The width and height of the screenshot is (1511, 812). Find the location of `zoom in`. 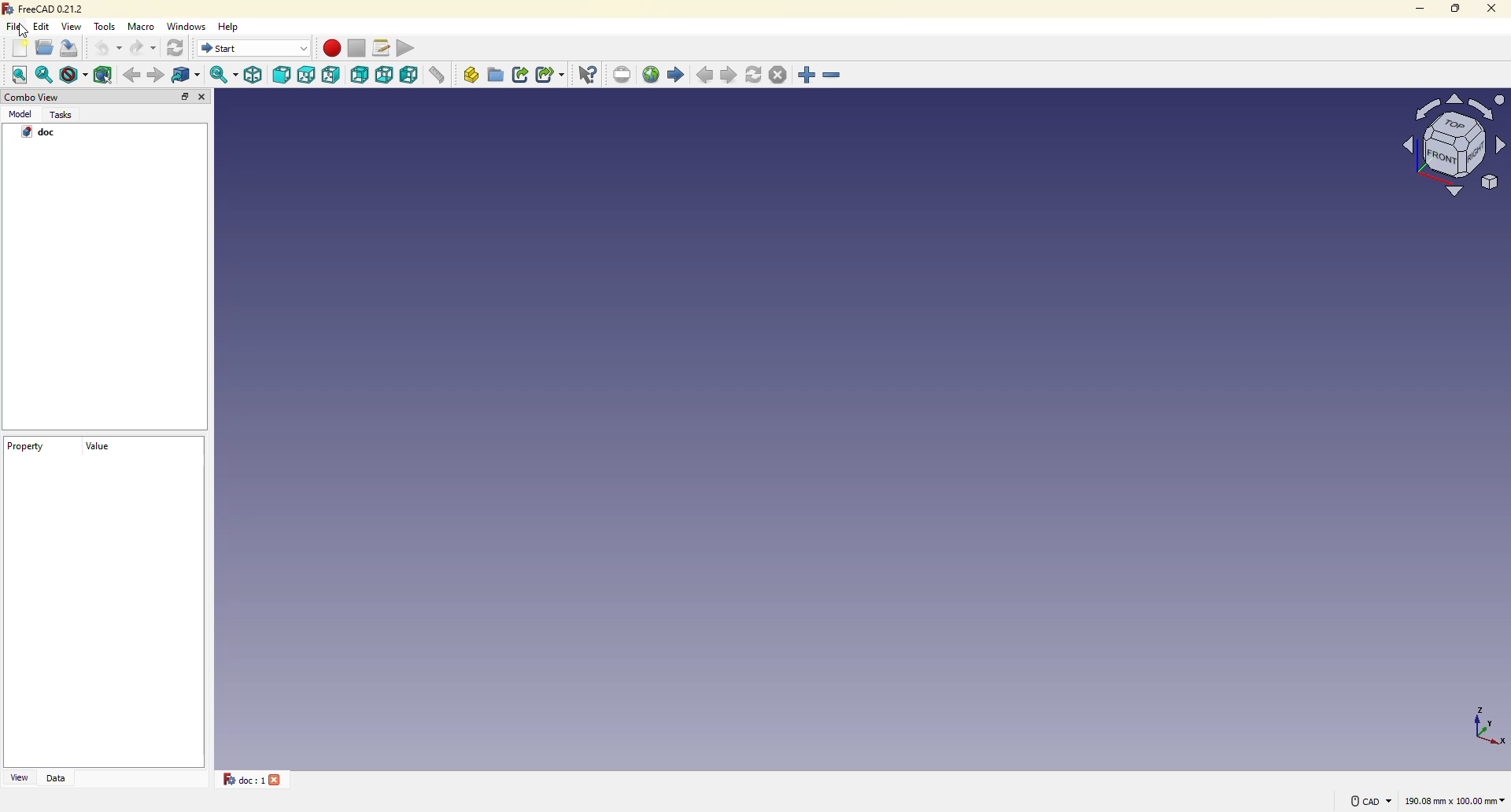

zoom in is located at coordinates (807, 76).